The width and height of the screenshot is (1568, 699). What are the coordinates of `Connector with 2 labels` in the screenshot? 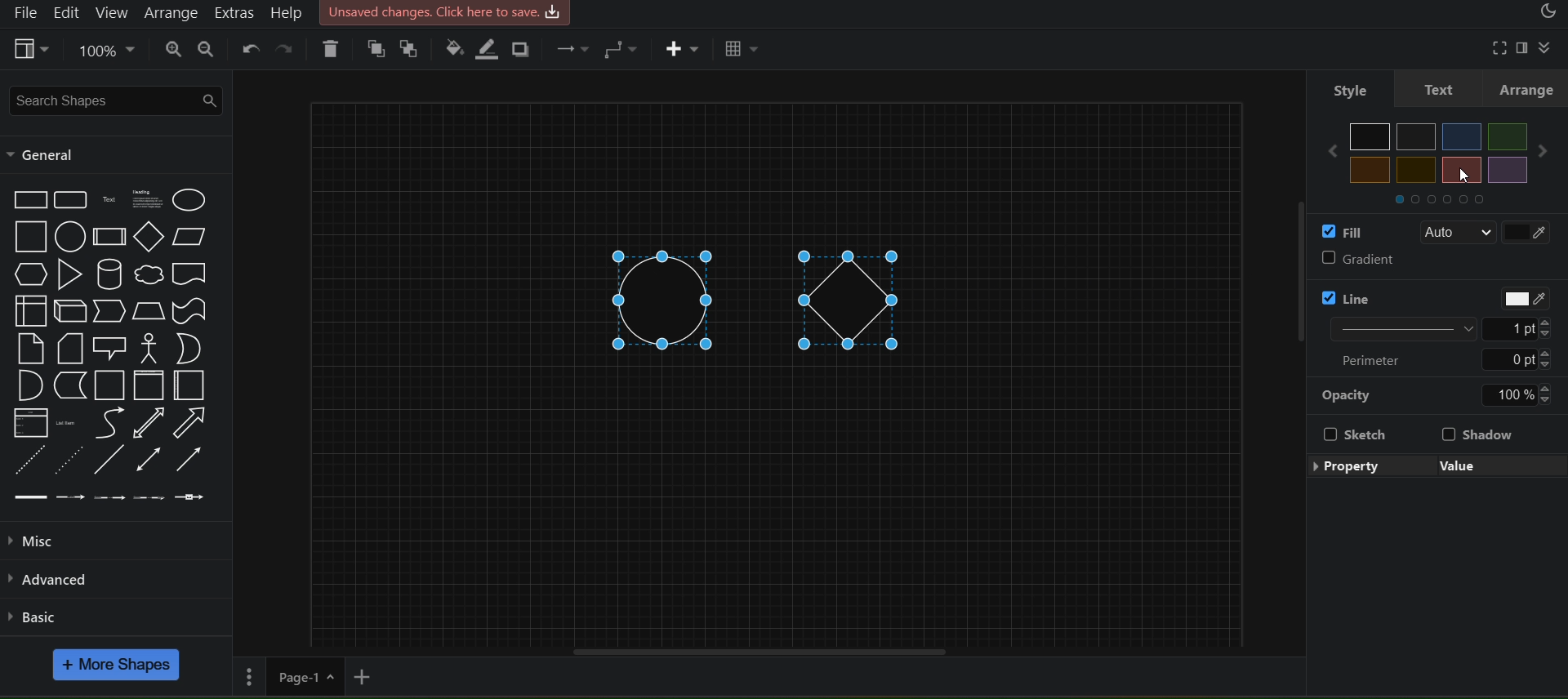 It's located at (109, 496).